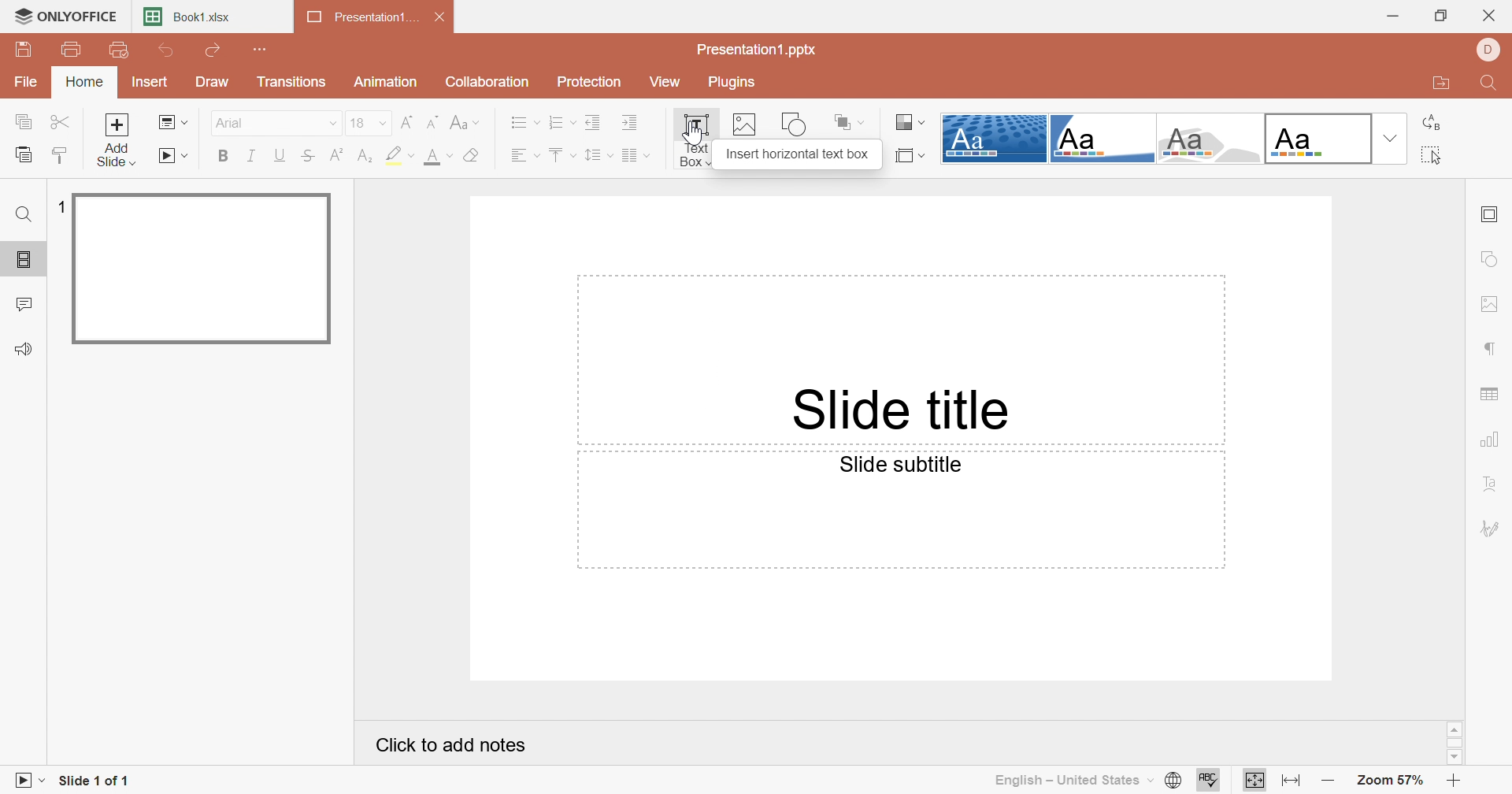 This screenshot has width=1512, height=794. Describe the element at coordinates (1442, 83) in the screenshot. I see `Open file location` at that location.